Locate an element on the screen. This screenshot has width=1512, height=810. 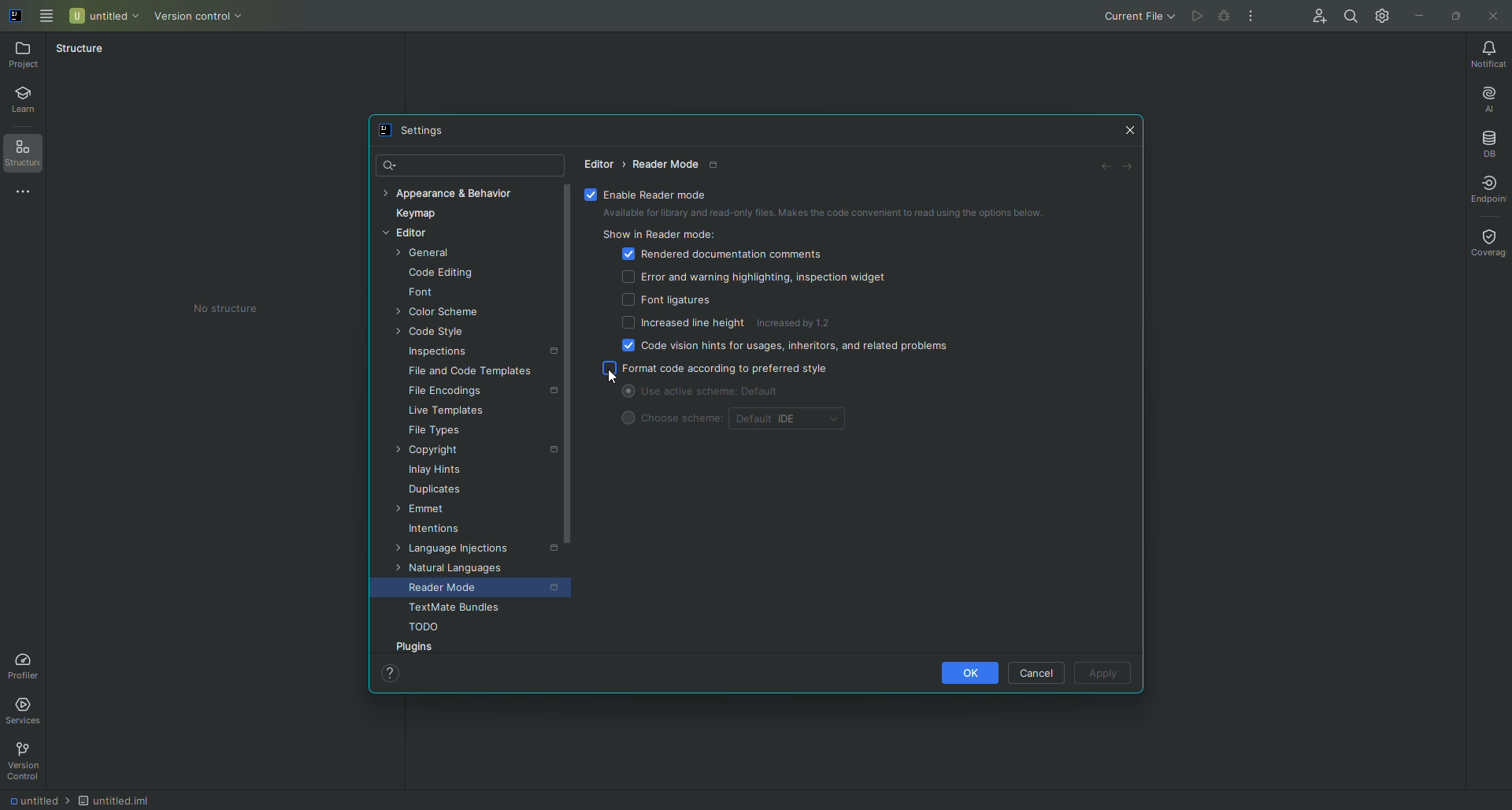
Profiler is located at coordinates (28, 663).